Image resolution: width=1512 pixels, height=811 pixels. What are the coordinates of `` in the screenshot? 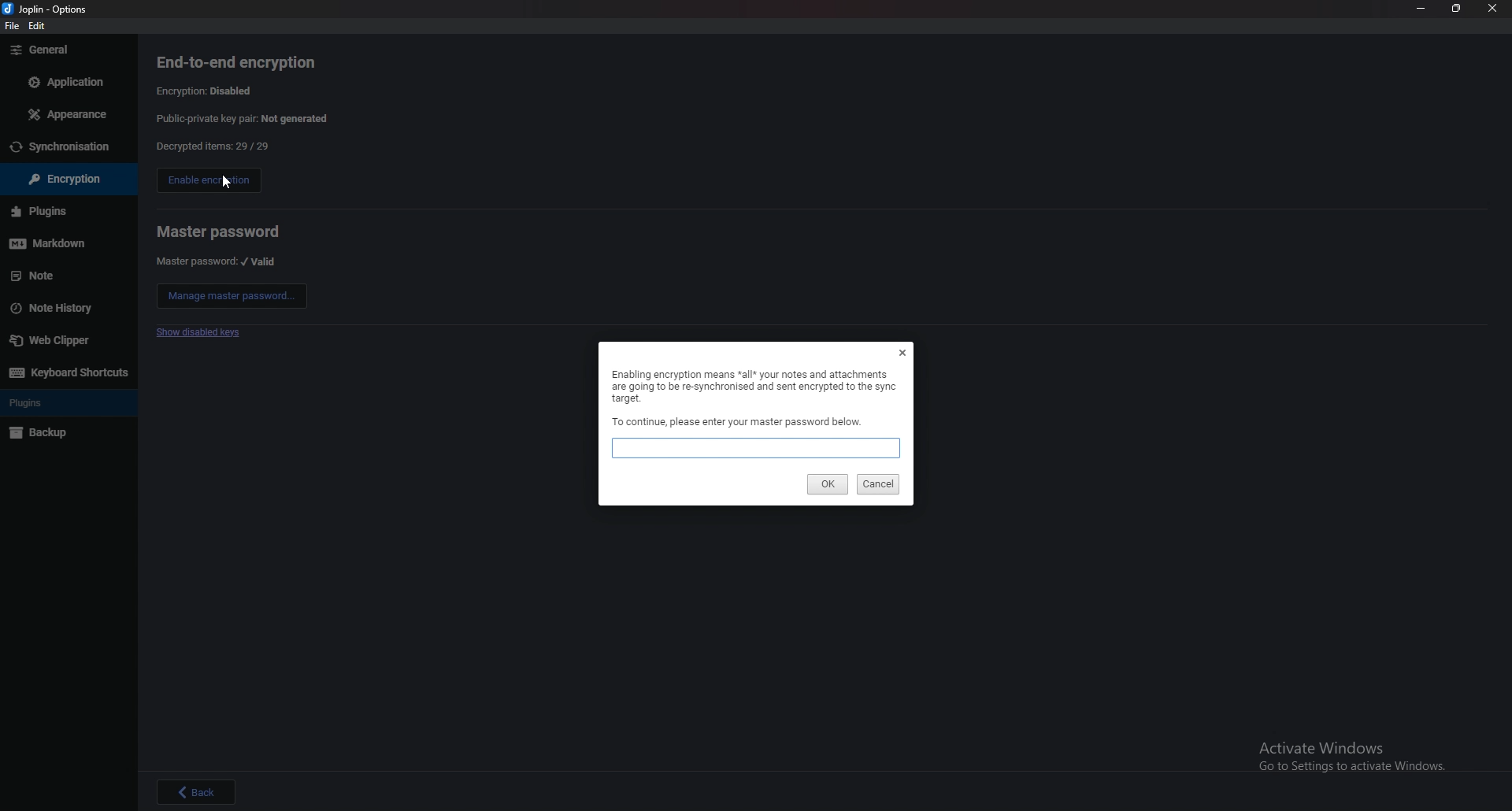 It's located at (43, 213).